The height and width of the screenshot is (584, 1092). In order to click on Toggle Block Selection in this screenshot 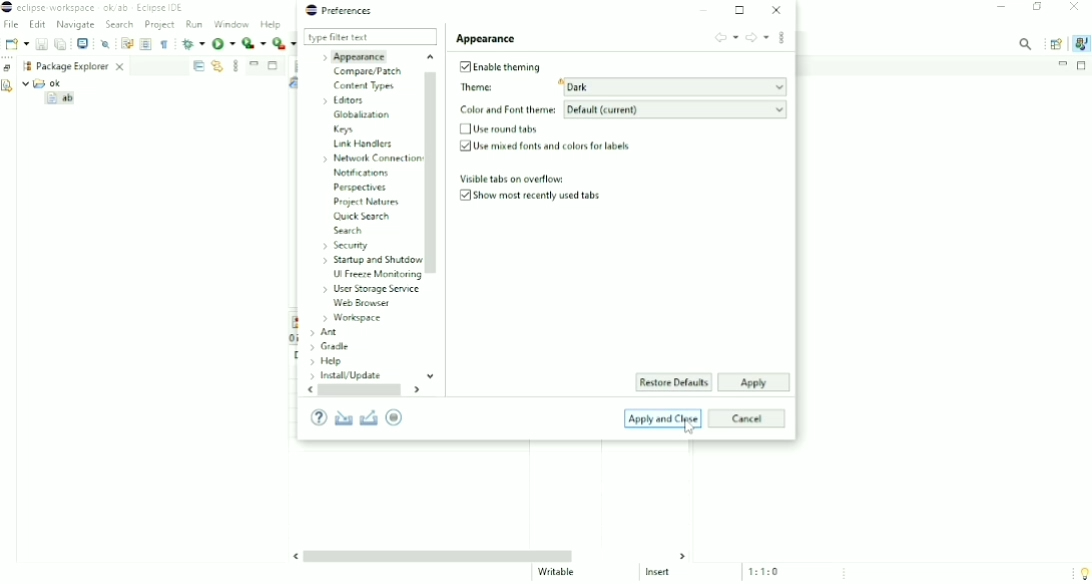, I will do `click(146, 44)`.